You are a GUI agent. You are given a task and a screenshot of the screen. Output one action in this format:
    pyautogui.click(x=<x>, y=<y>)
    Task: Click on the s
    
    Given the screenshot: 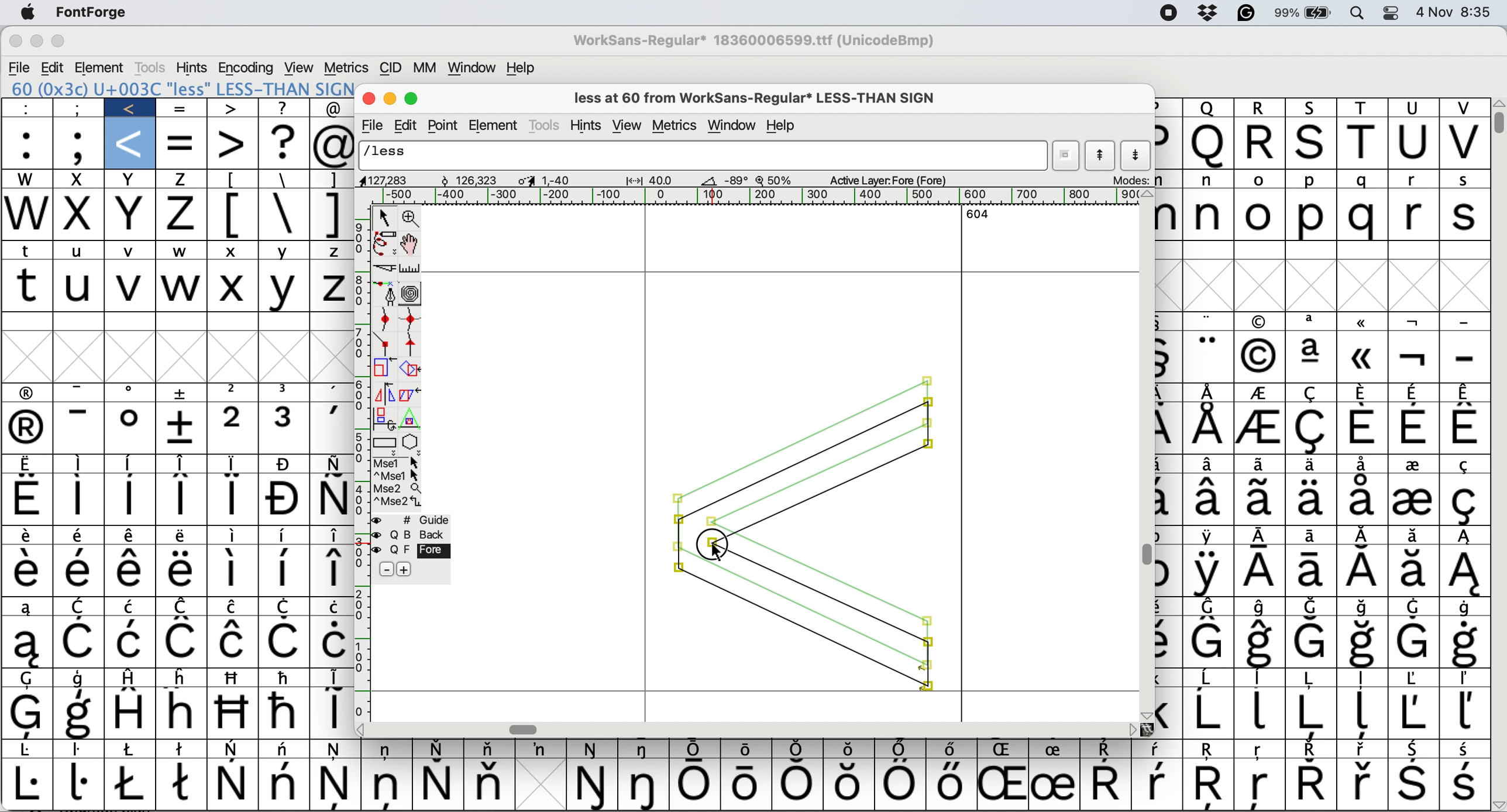 What is the action you would take?
    pyautogui.click(x=1312, y=144)
    